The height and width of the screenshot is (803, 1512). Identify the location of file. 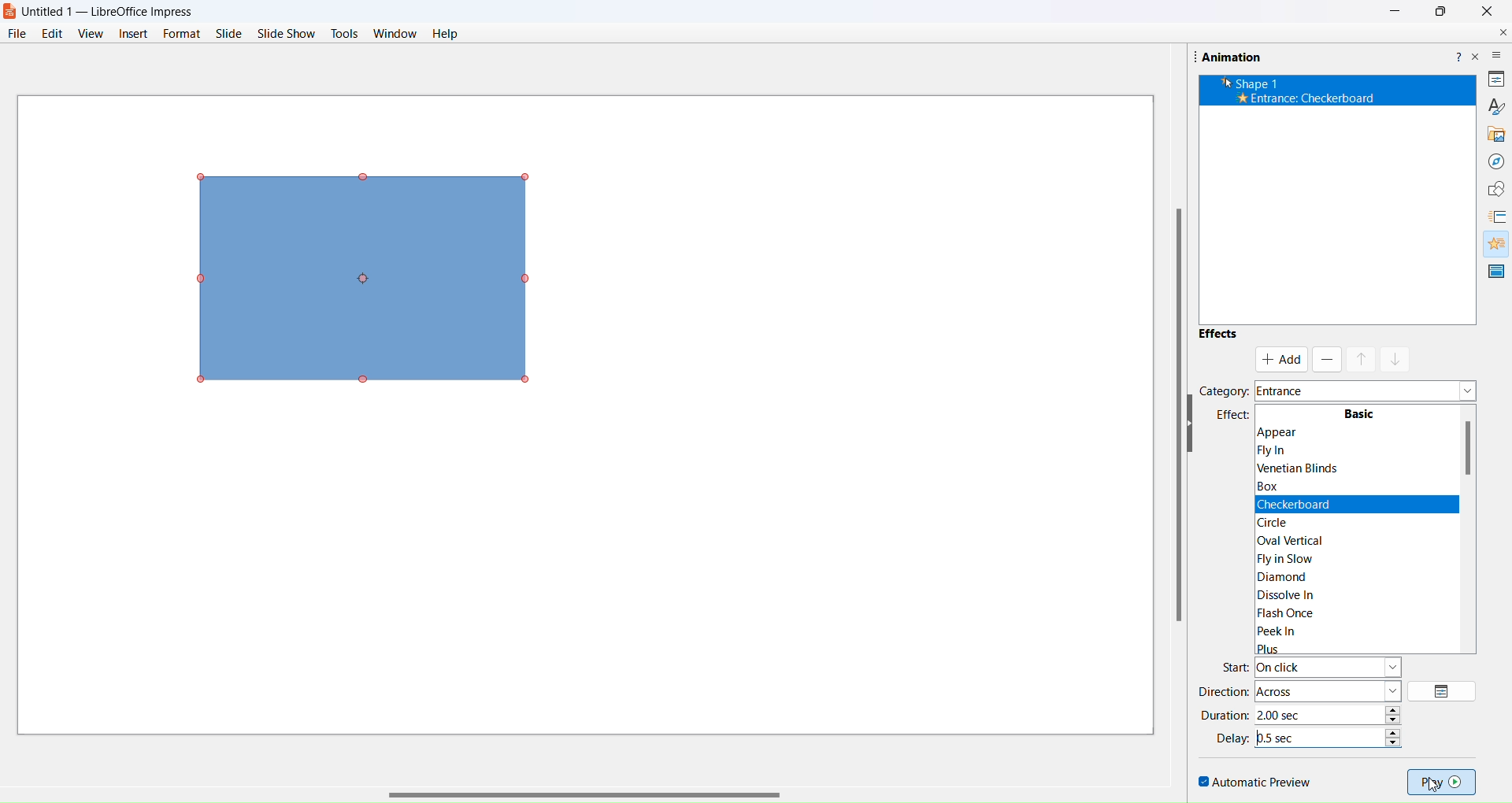
(18, 33).